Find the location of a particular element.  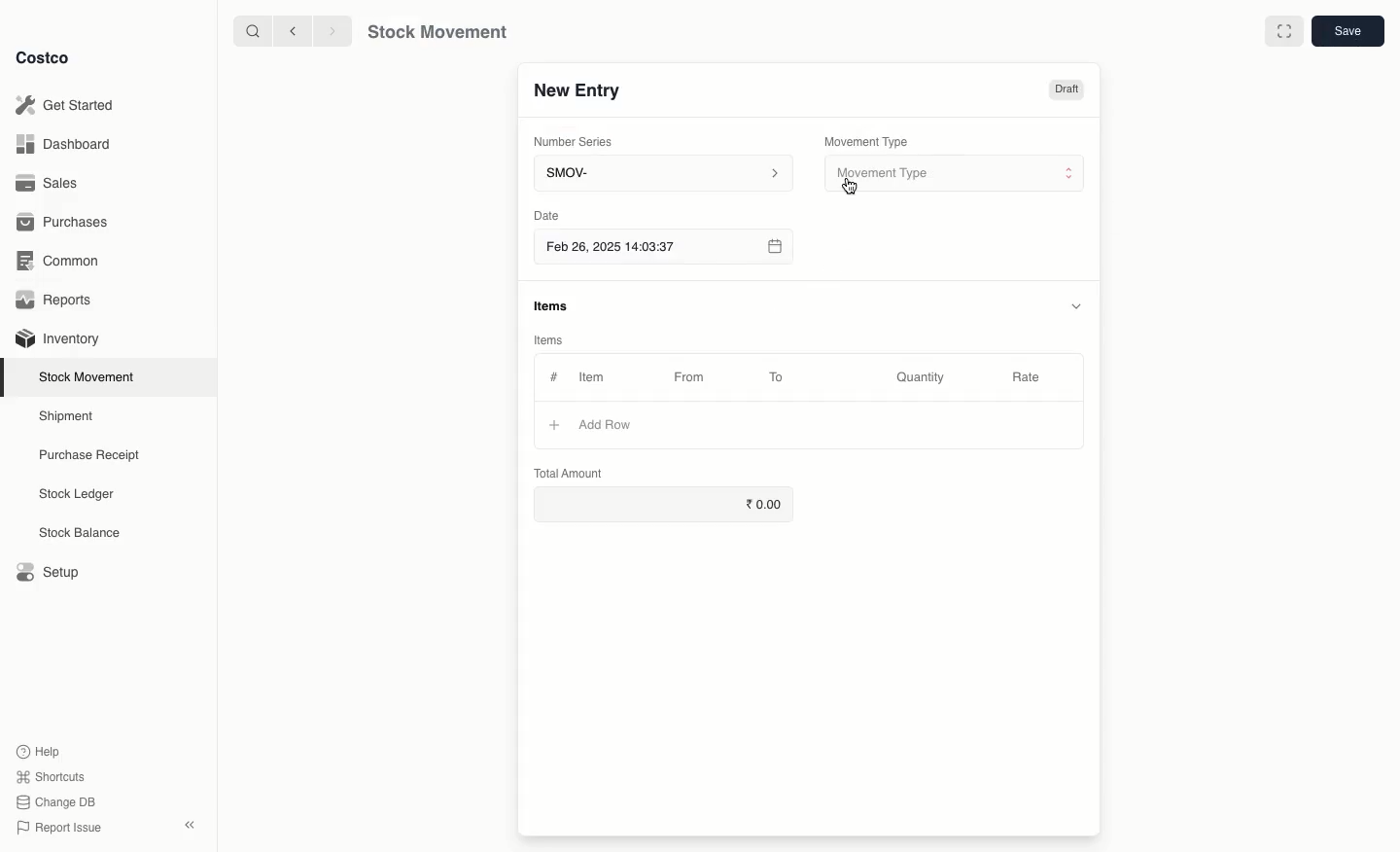

Sales is located at coordinates (50, 182).